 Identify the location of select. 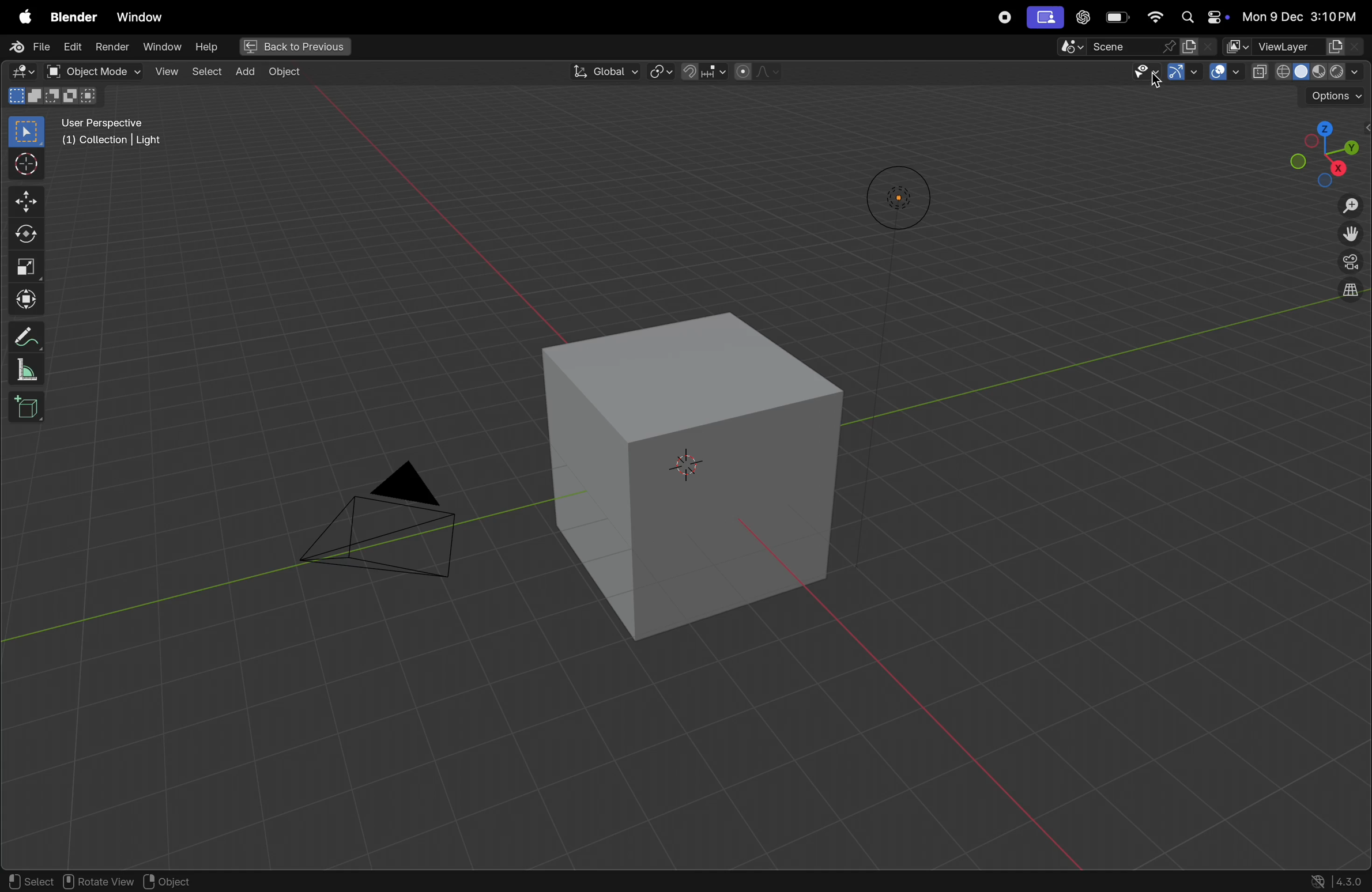
(27, 132).